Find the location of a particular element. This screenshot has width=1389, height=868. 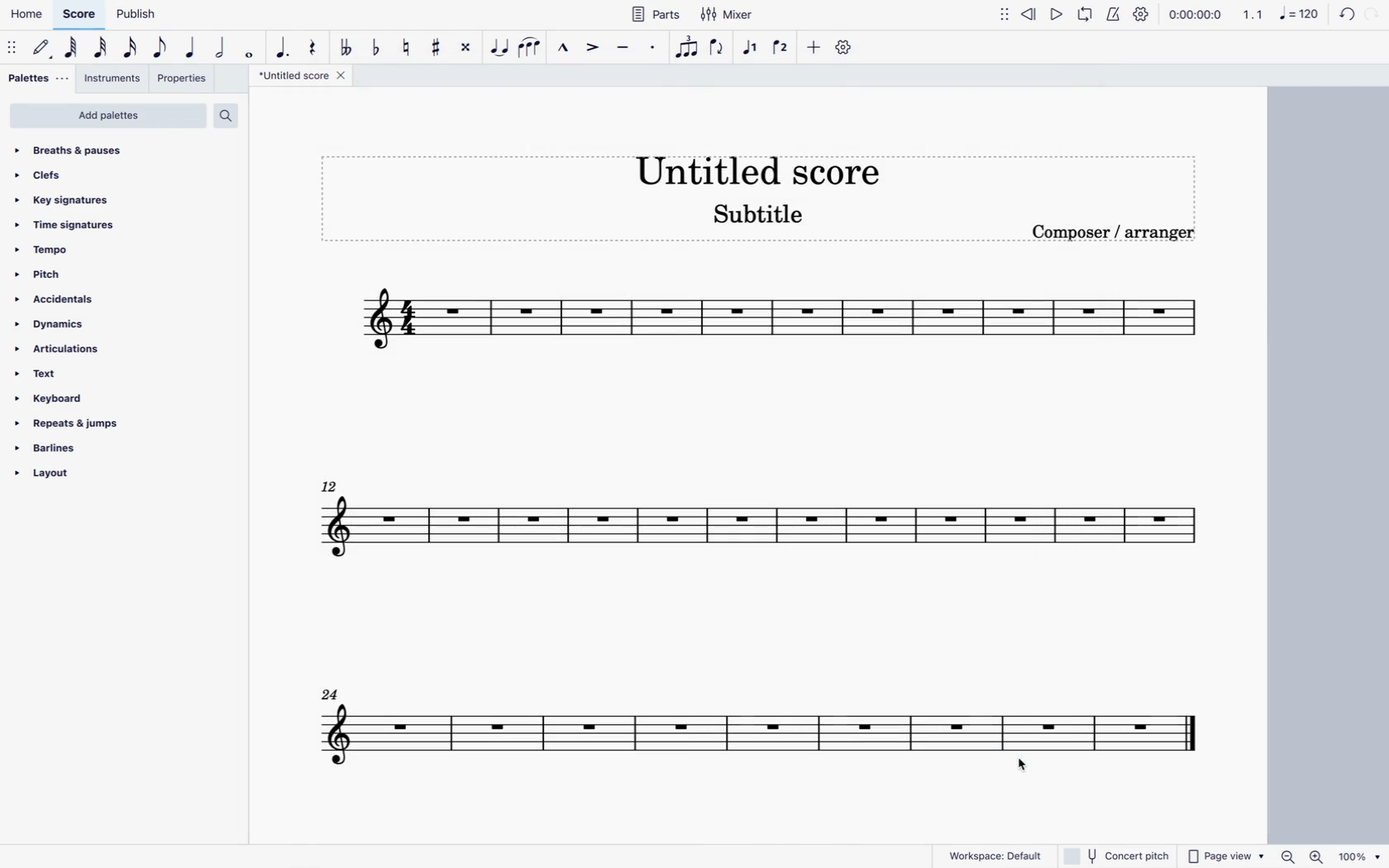

quarter note is located at coordinates (189, 50).